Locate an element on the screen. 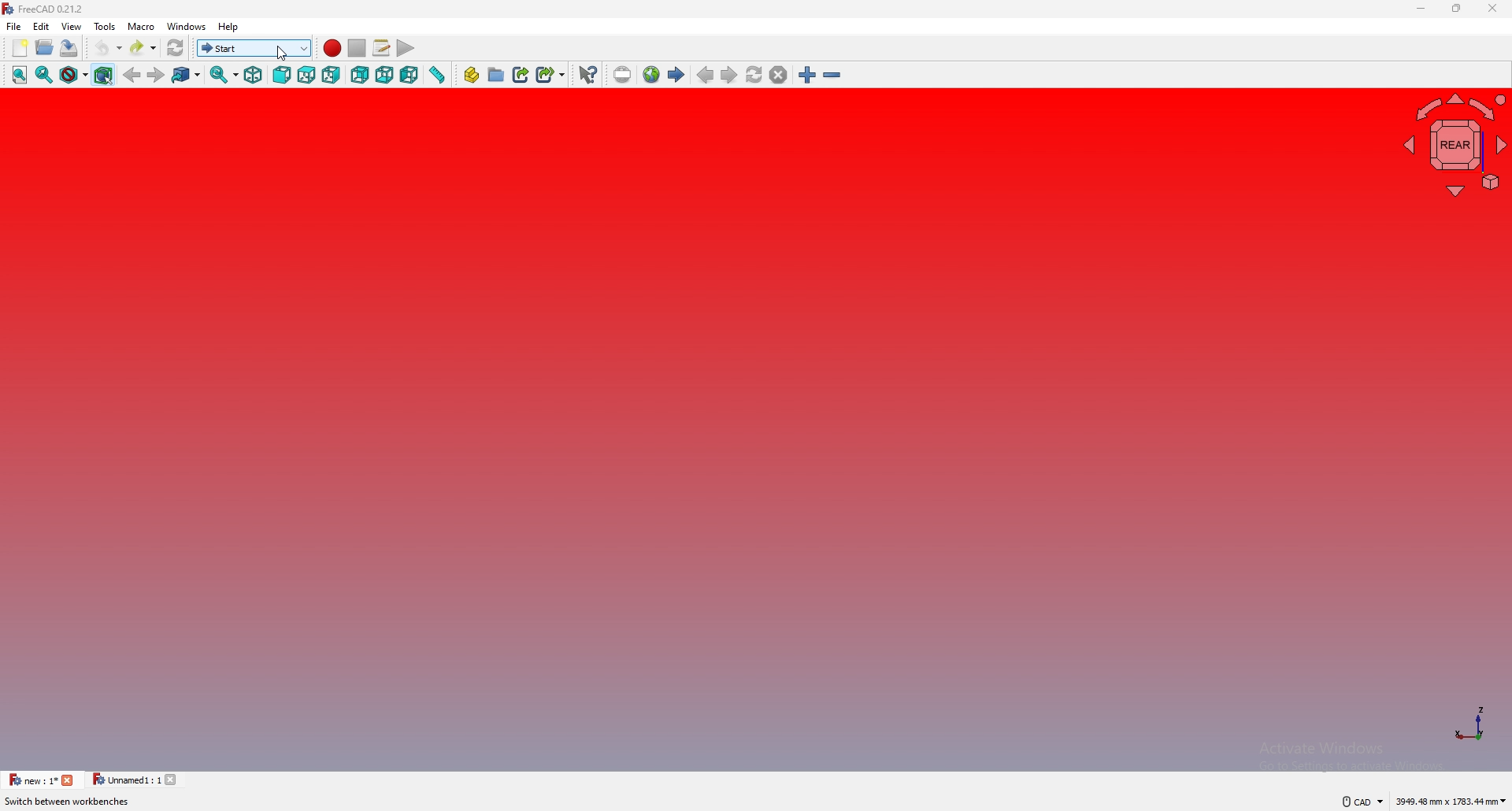 This screenshot has width=1512, height=811. tools is located at coordinates (105, 26).